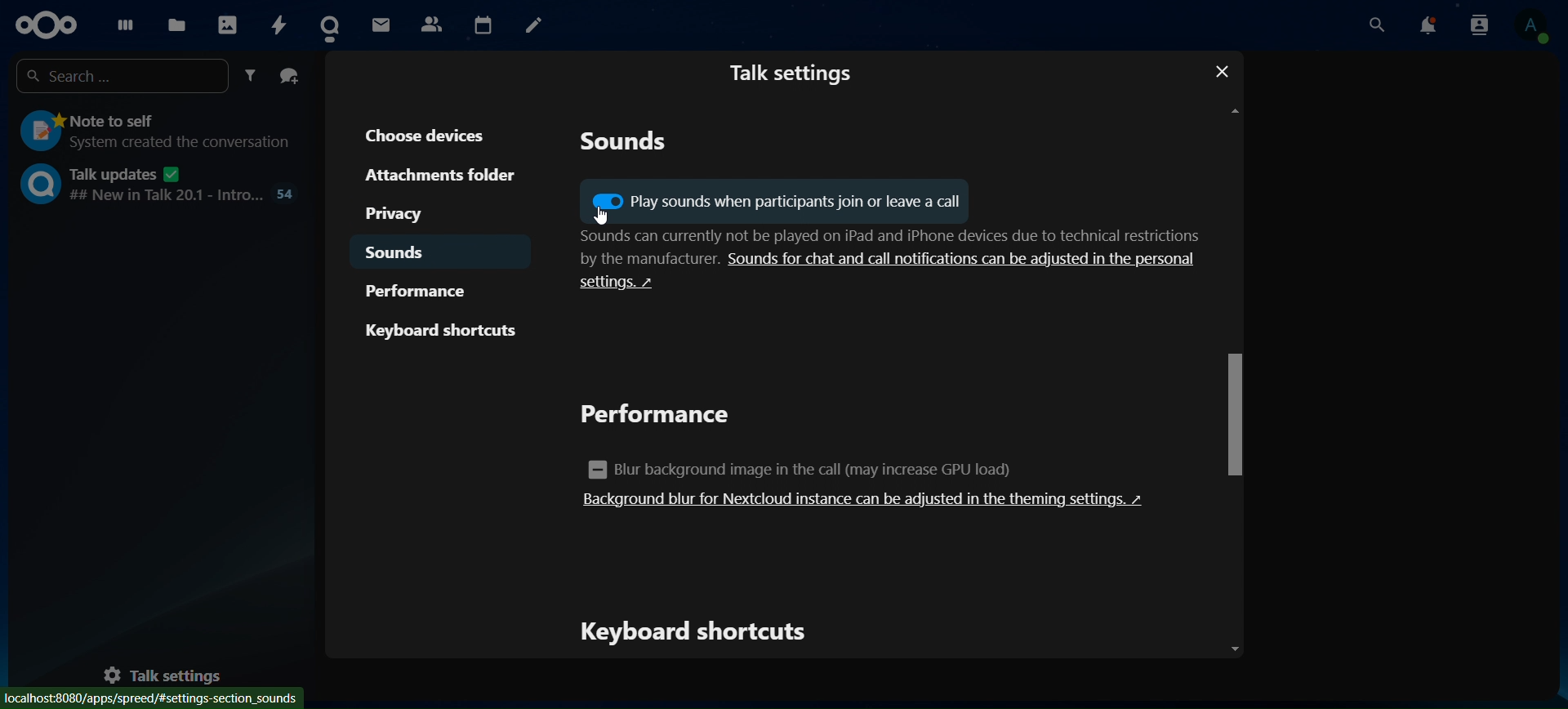  I want to click on search contact, so click(1480, 25).